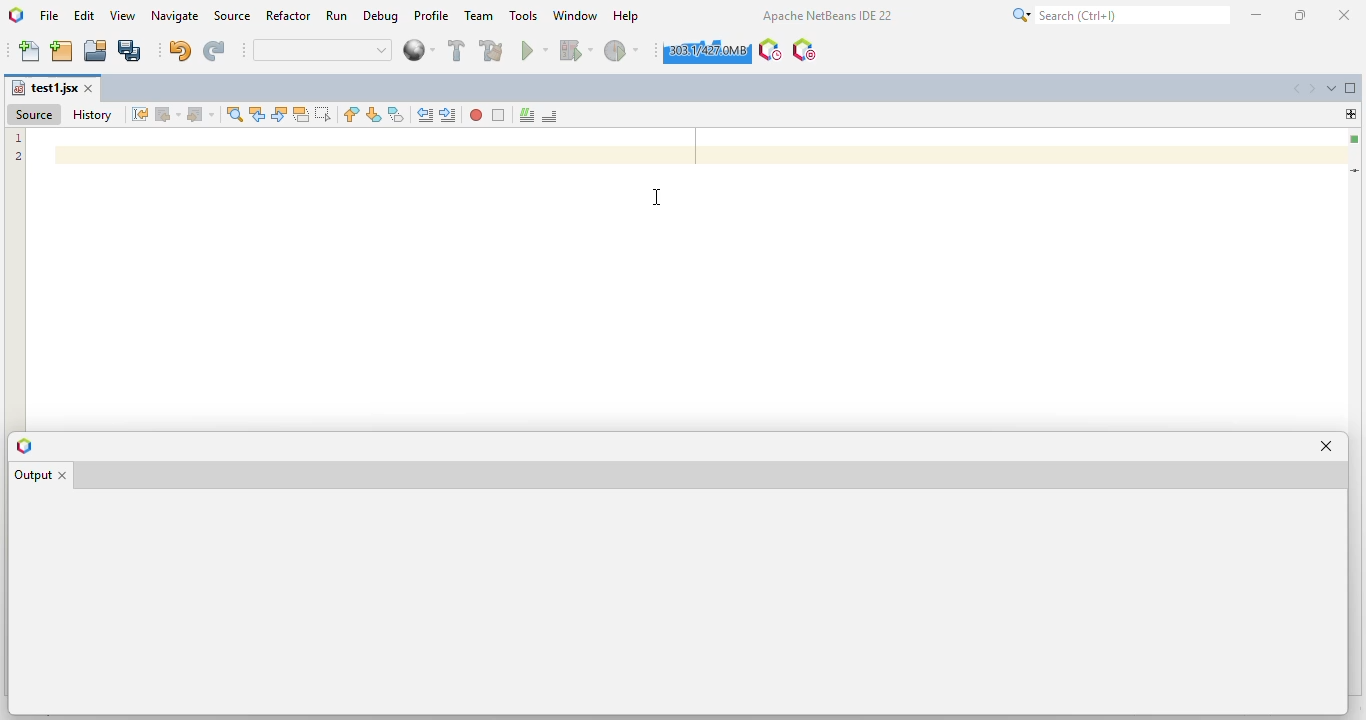  I want to click on source, so click(234, 15).